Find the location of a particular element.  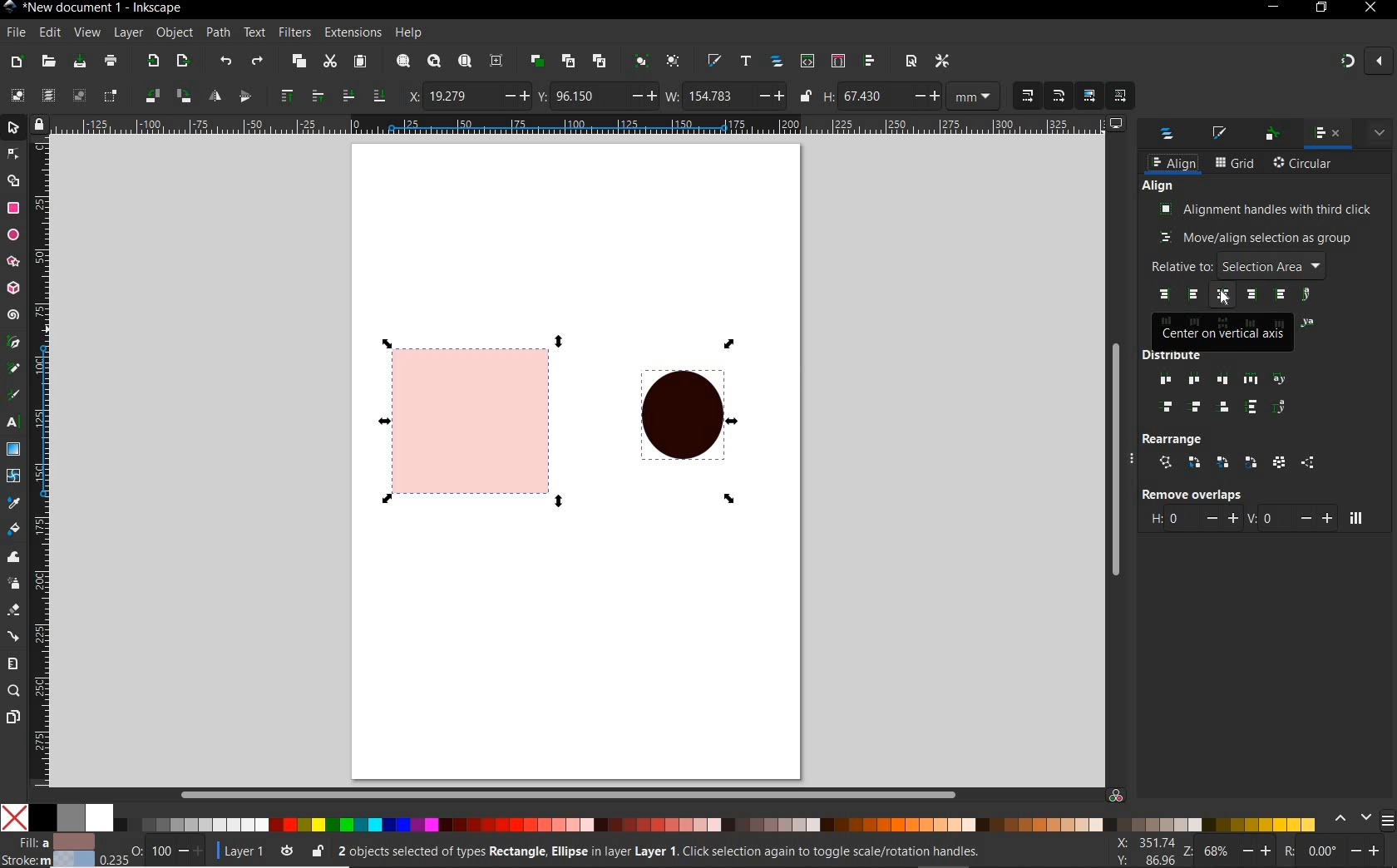

color pallet is located at coordinates (689, 818).